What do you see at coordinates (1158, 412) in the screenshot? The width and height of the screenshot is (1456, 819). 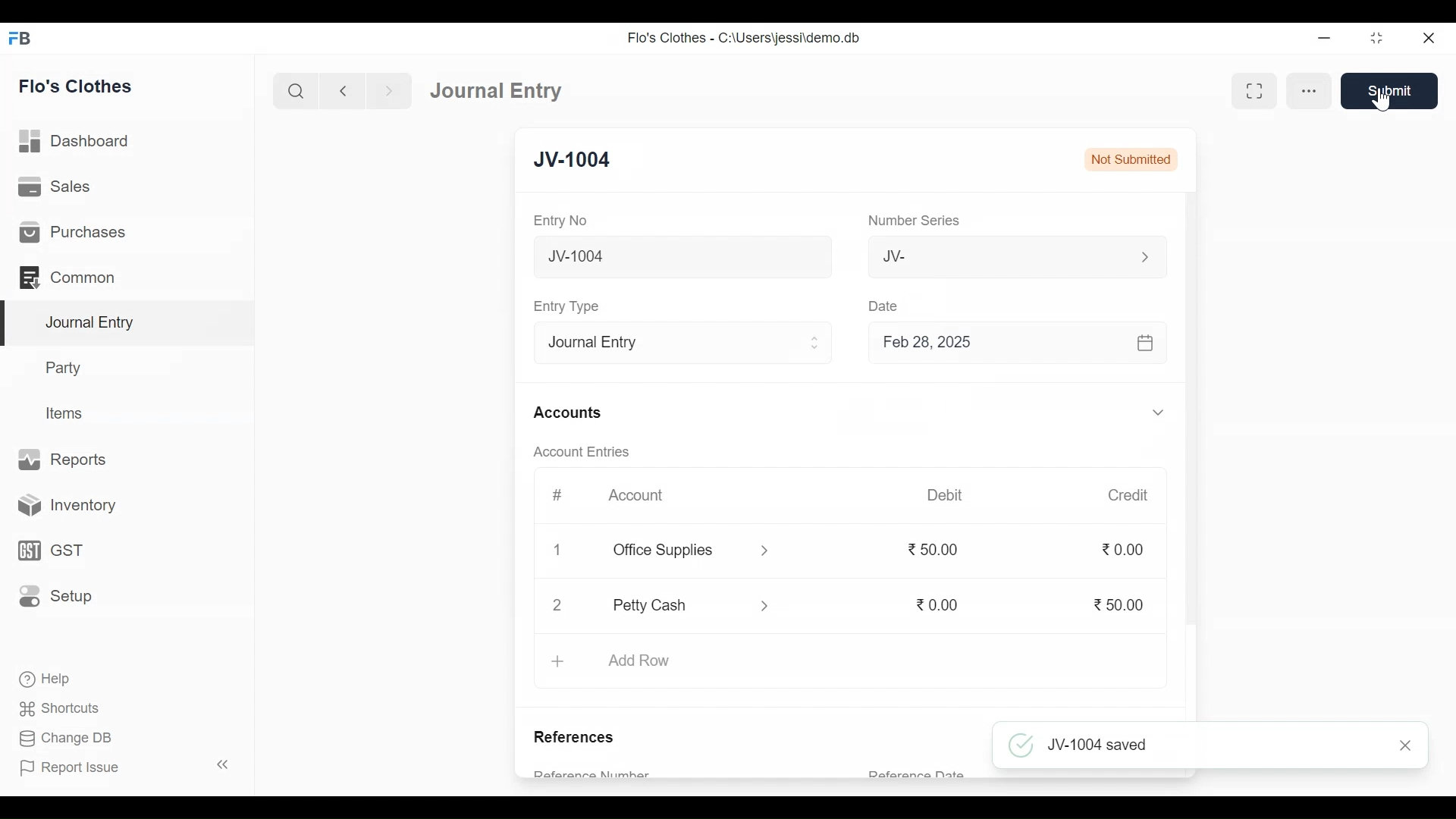 I see `Expand` at bounding box center [1158, 412].